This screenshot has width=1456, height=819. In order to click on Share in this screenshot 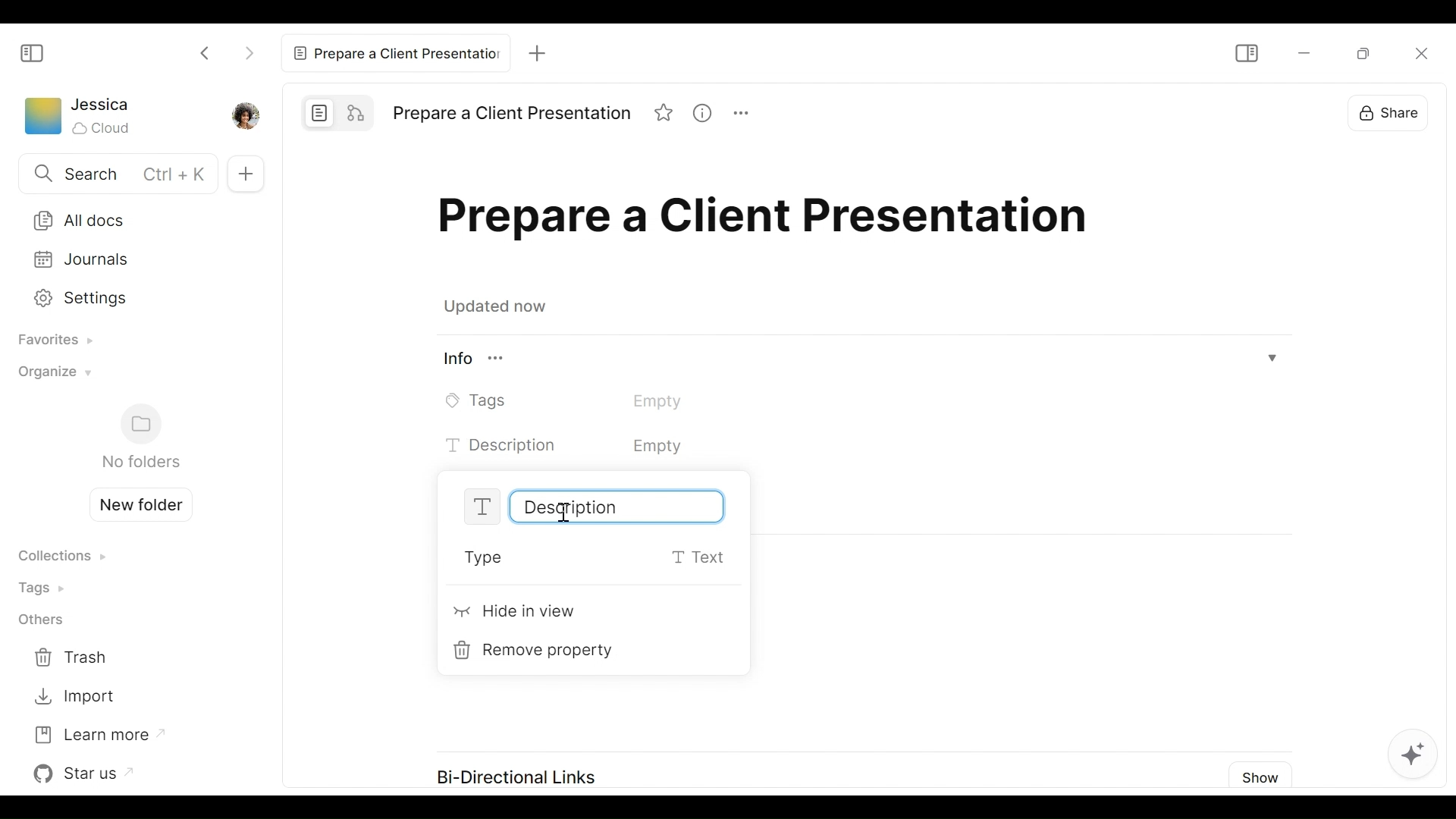, I will do `click(1400, 112)`.